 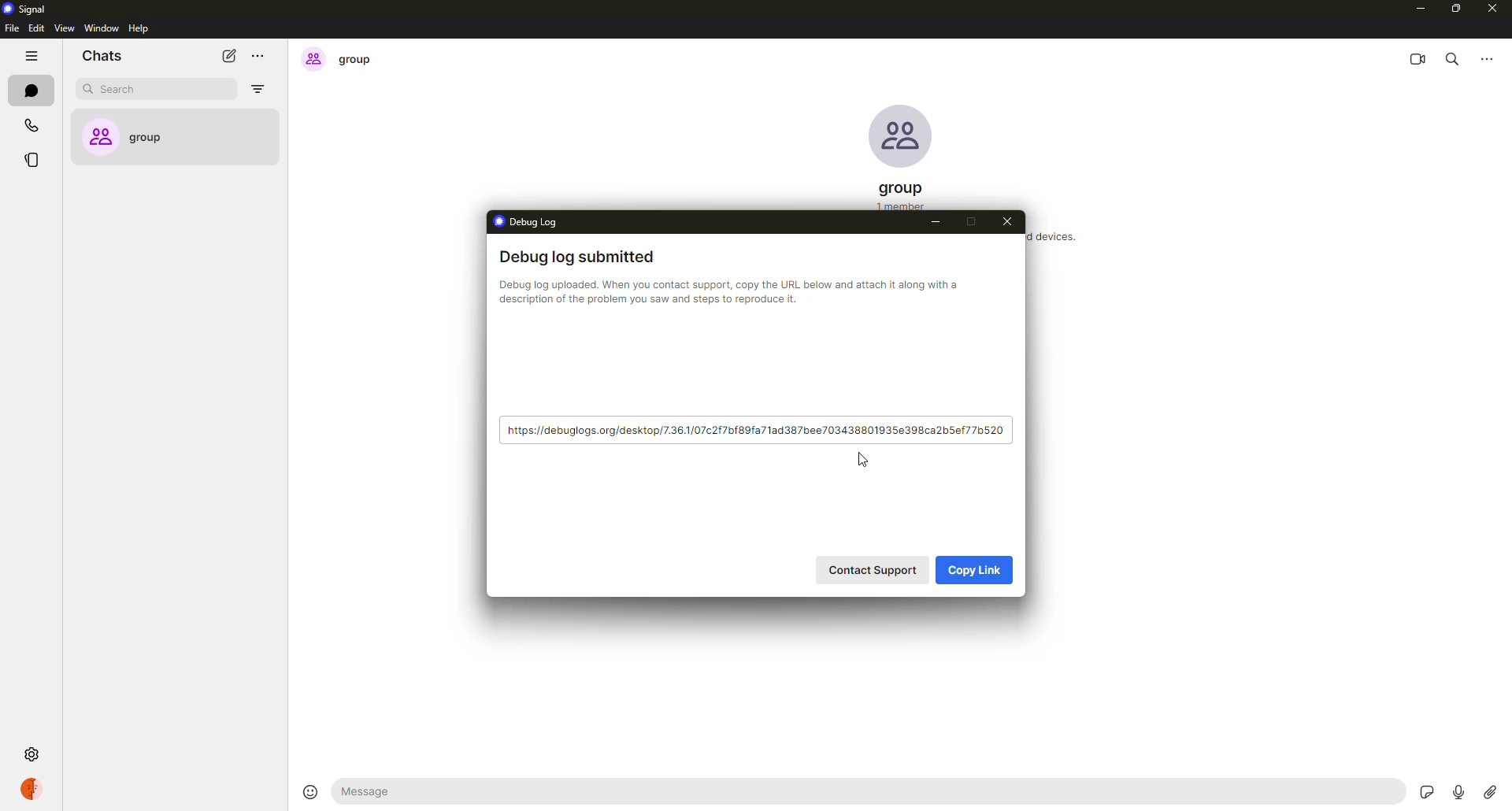 What do you see at coordinates (1420, 56) in the screenshot?
I see `video call` at bounding box center [1420, 56].